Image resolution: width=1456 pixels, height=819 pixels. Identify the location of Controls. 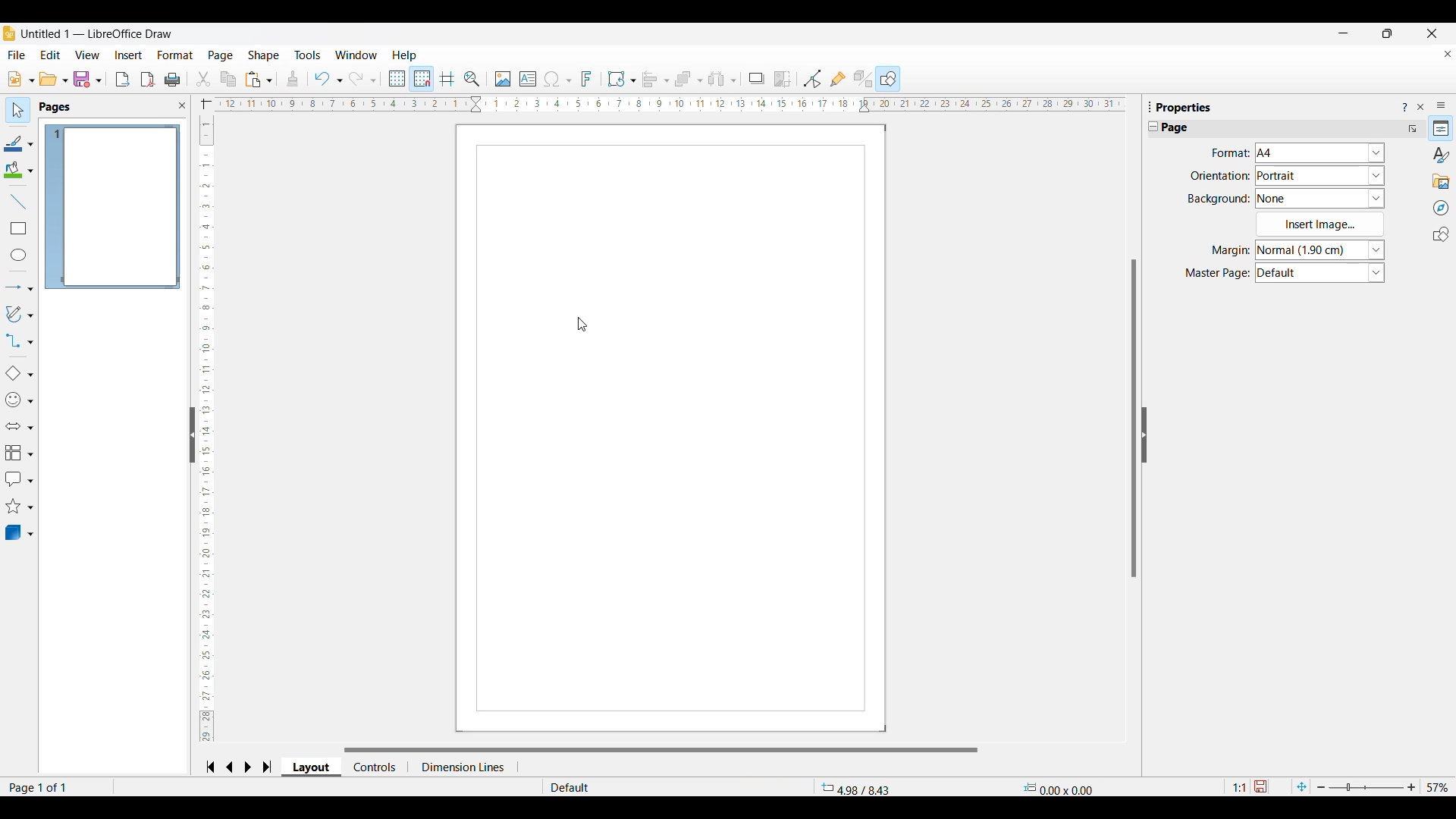
(379, 767).